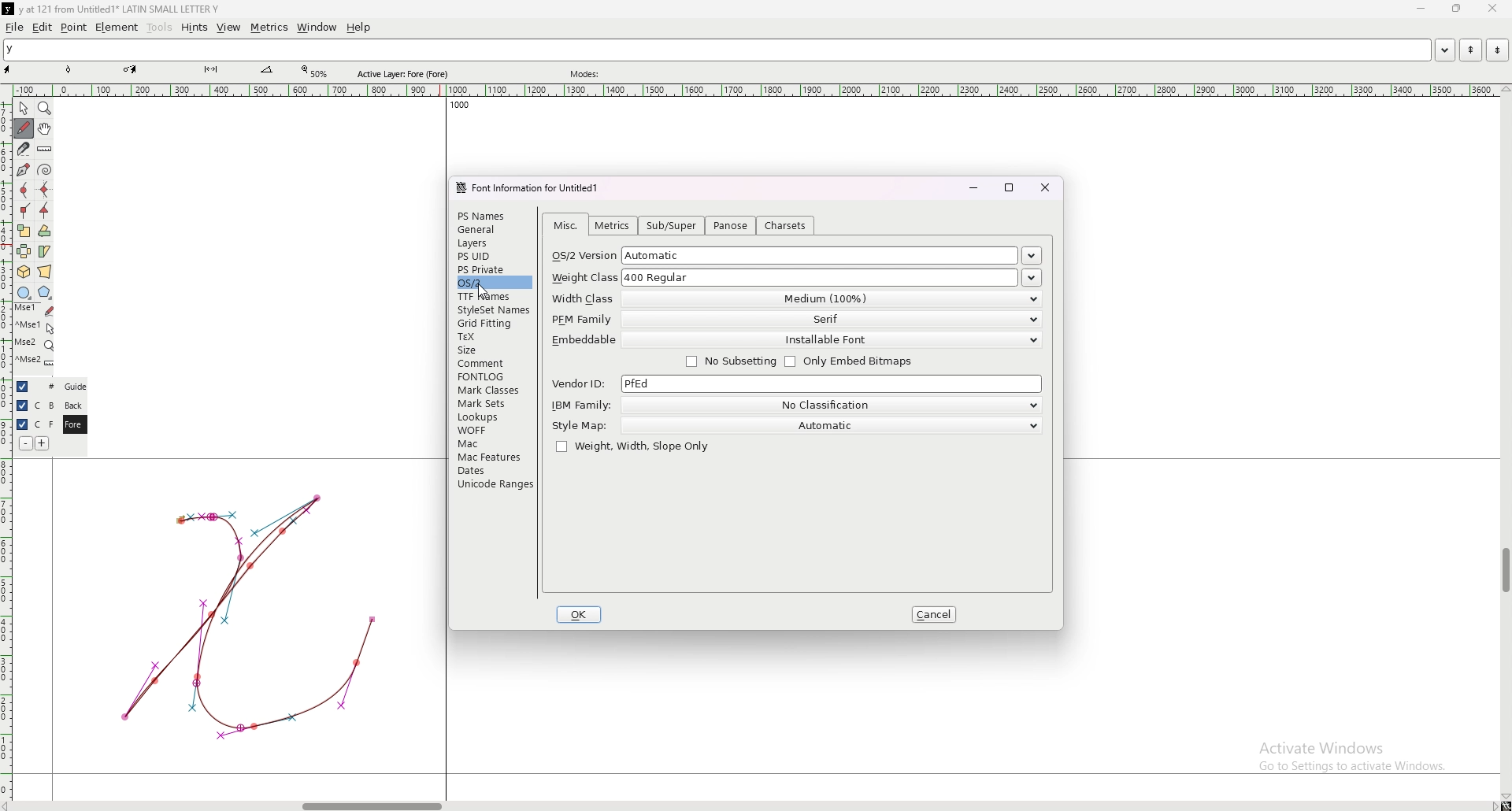 This screenshot has height=811, width=1512. What do you see at coordinates (494, 257) in the screenshot?
I see `ps uid` at bounding box center [494, 257].